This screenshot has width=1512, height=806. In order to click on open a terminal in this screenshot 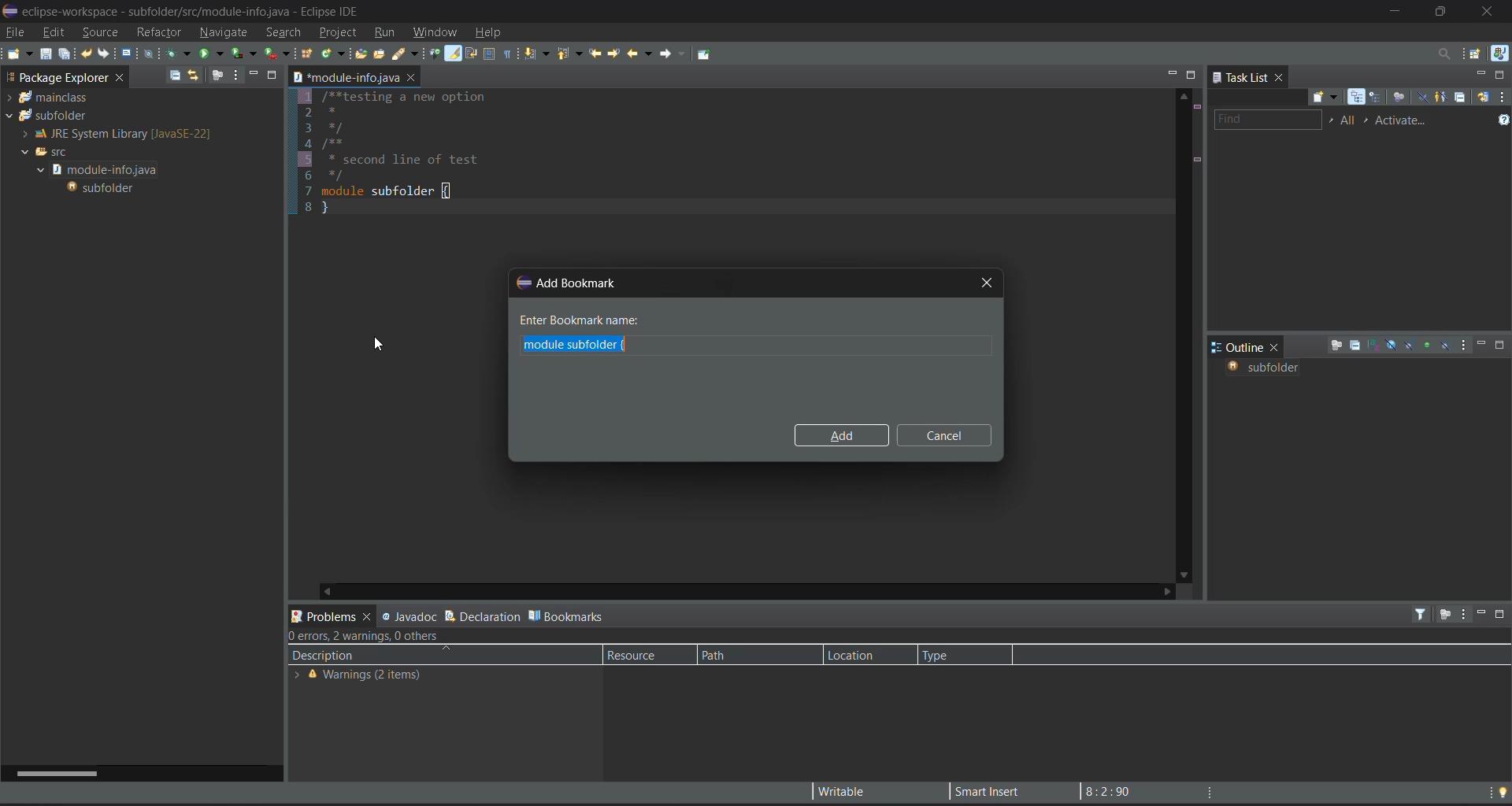, I will do `click(128, 54)`.